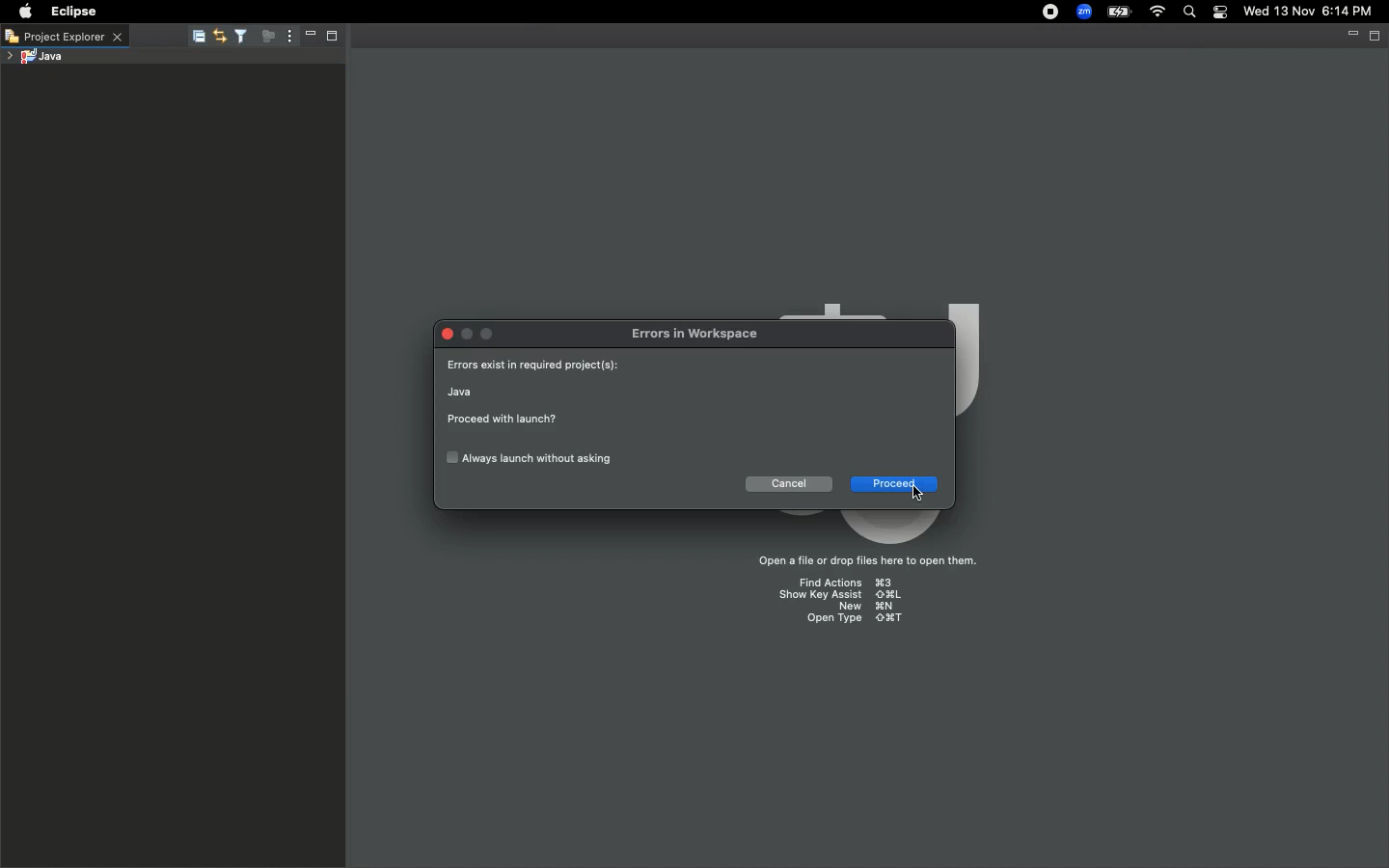 The height and width of the screenshot is (868, 1389). Describe the element at coordinates (468, 336) in the screenshot. I see `minimize` at that location.